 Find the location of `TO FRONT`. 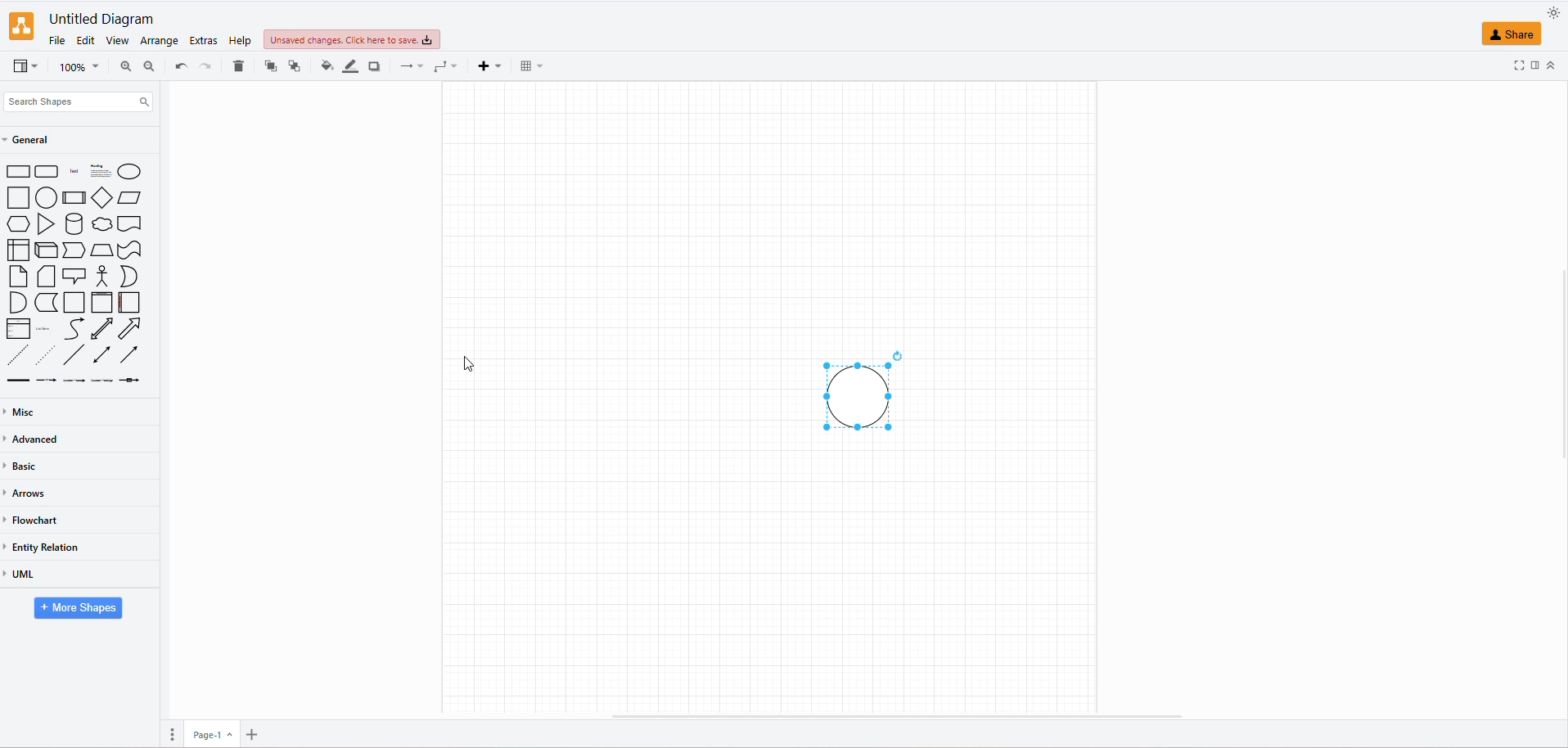

TO FRONT is located at coordinates (268, 66).